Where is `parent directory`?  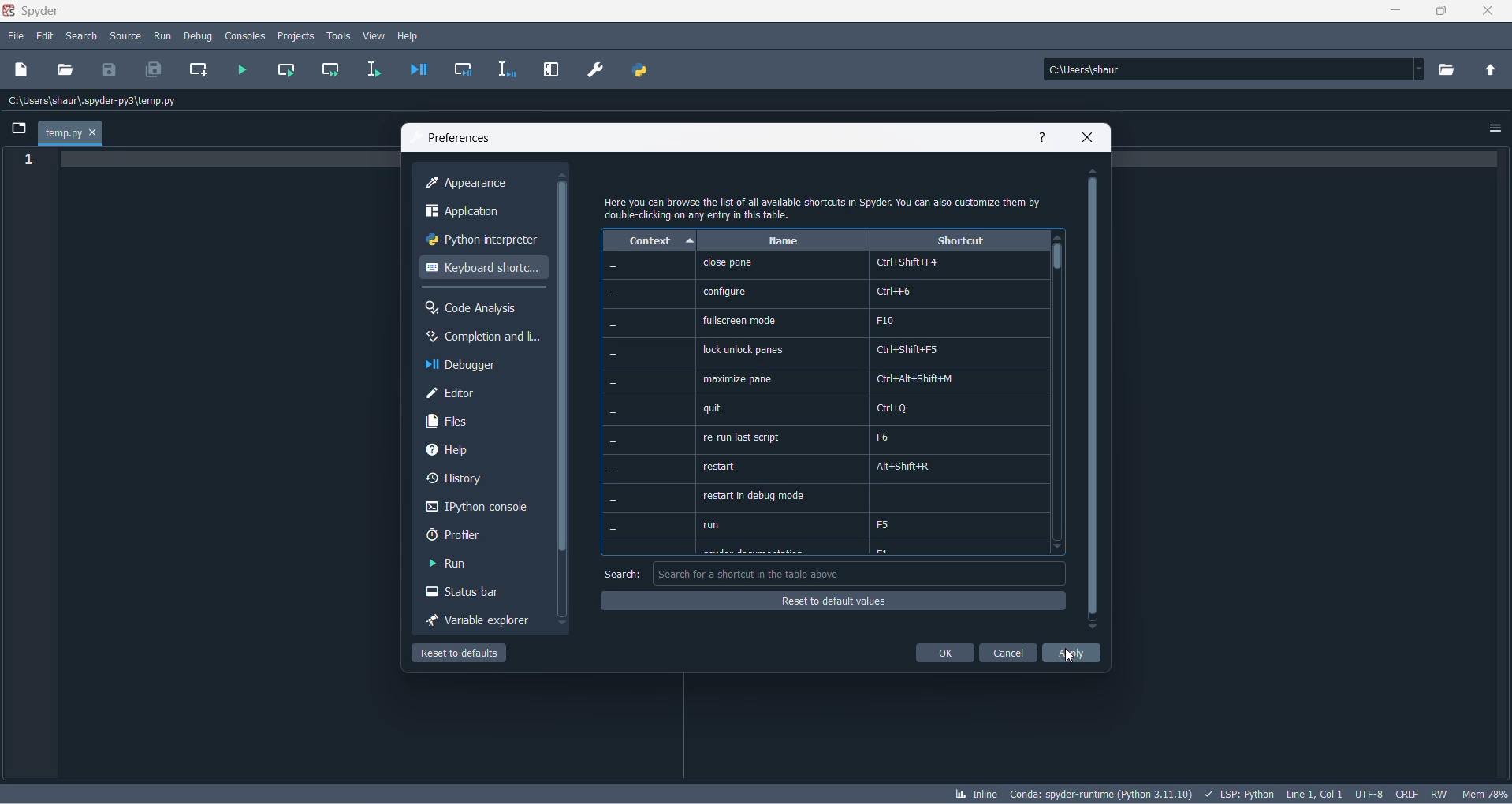
parent directory is located at coordinates (1495, 72).